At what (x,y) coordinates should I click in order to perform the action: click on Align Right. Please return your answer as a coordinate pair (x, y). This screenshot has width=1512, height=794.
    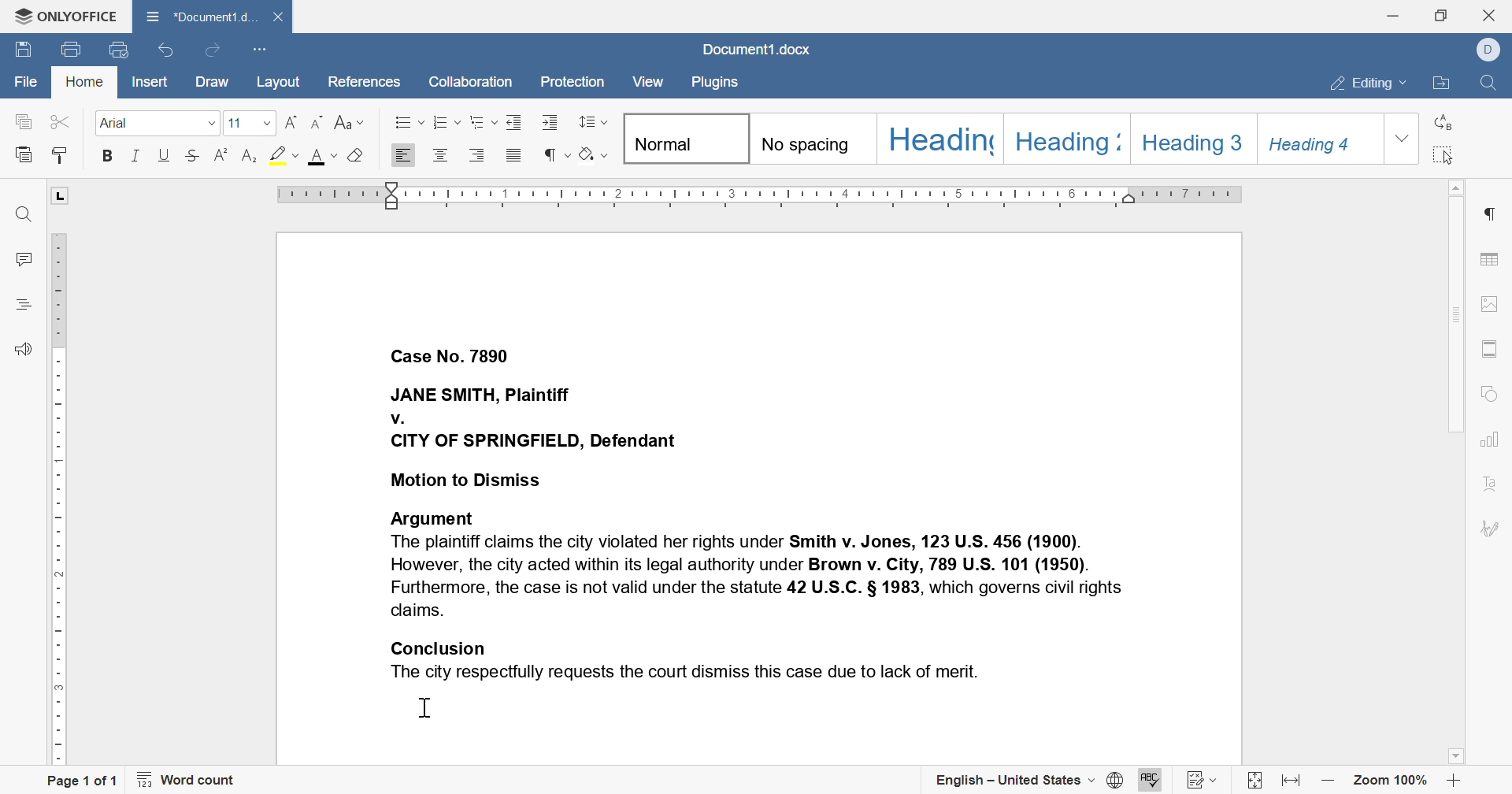
    Looking at the image, I should click on (404, 155).